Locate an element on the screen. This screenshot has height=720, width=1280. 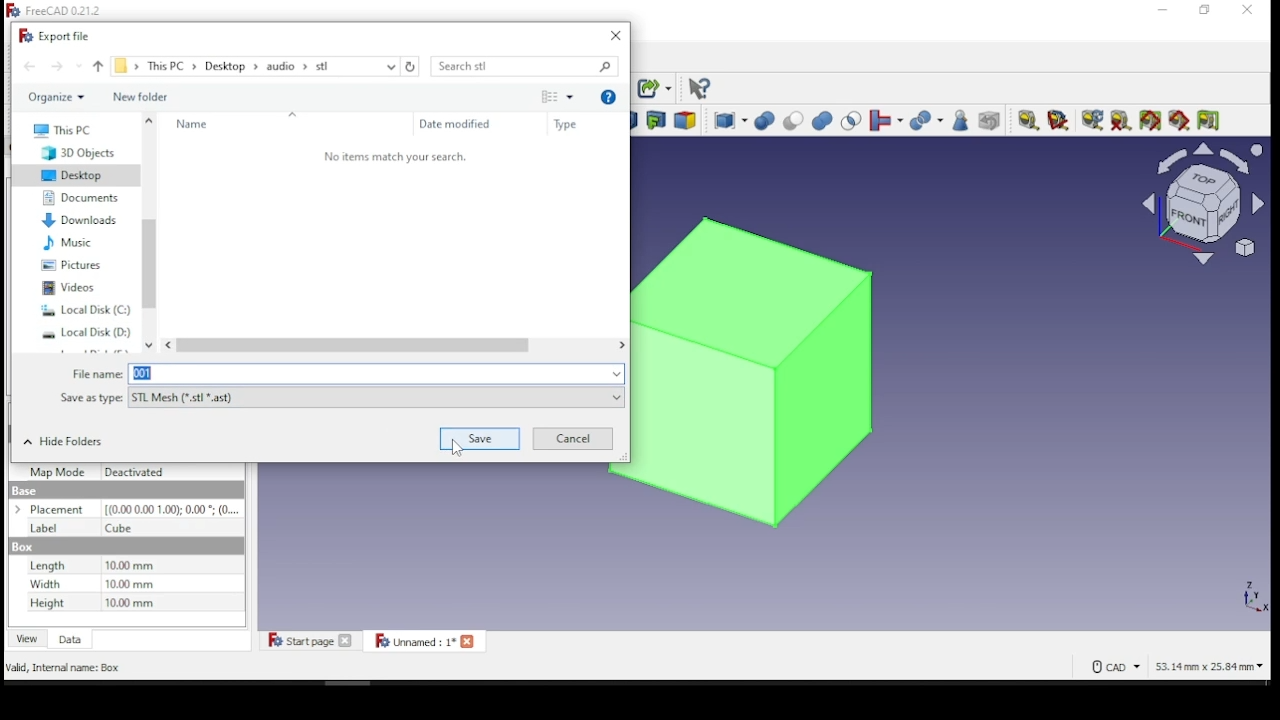
color per face is located at coordinates (688, 120).